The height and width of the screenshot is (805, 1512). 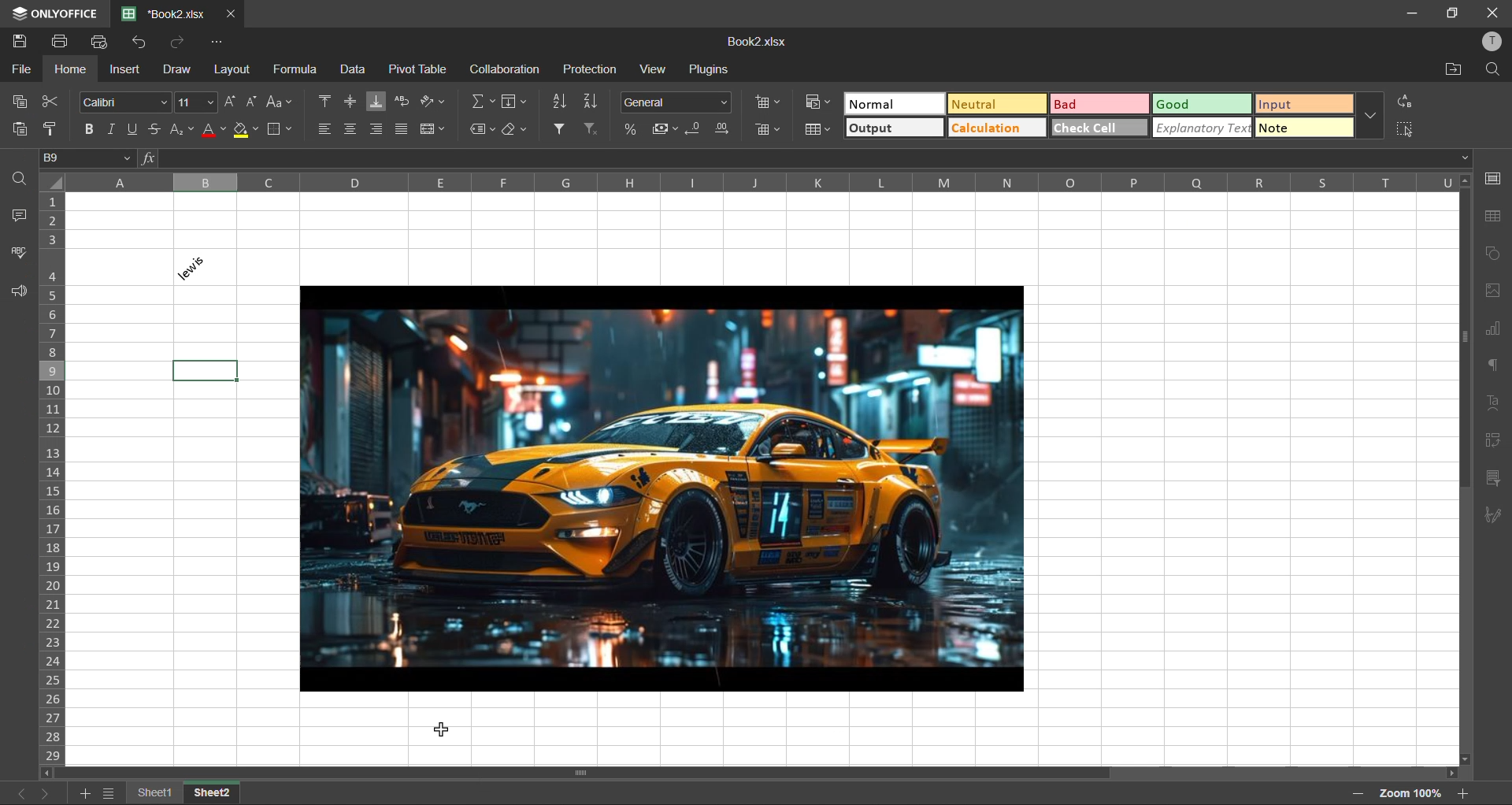 What do you see at coordinates (1406, 128) in the screenshot?
I see `select cells` at bounding box center [1406, 128].